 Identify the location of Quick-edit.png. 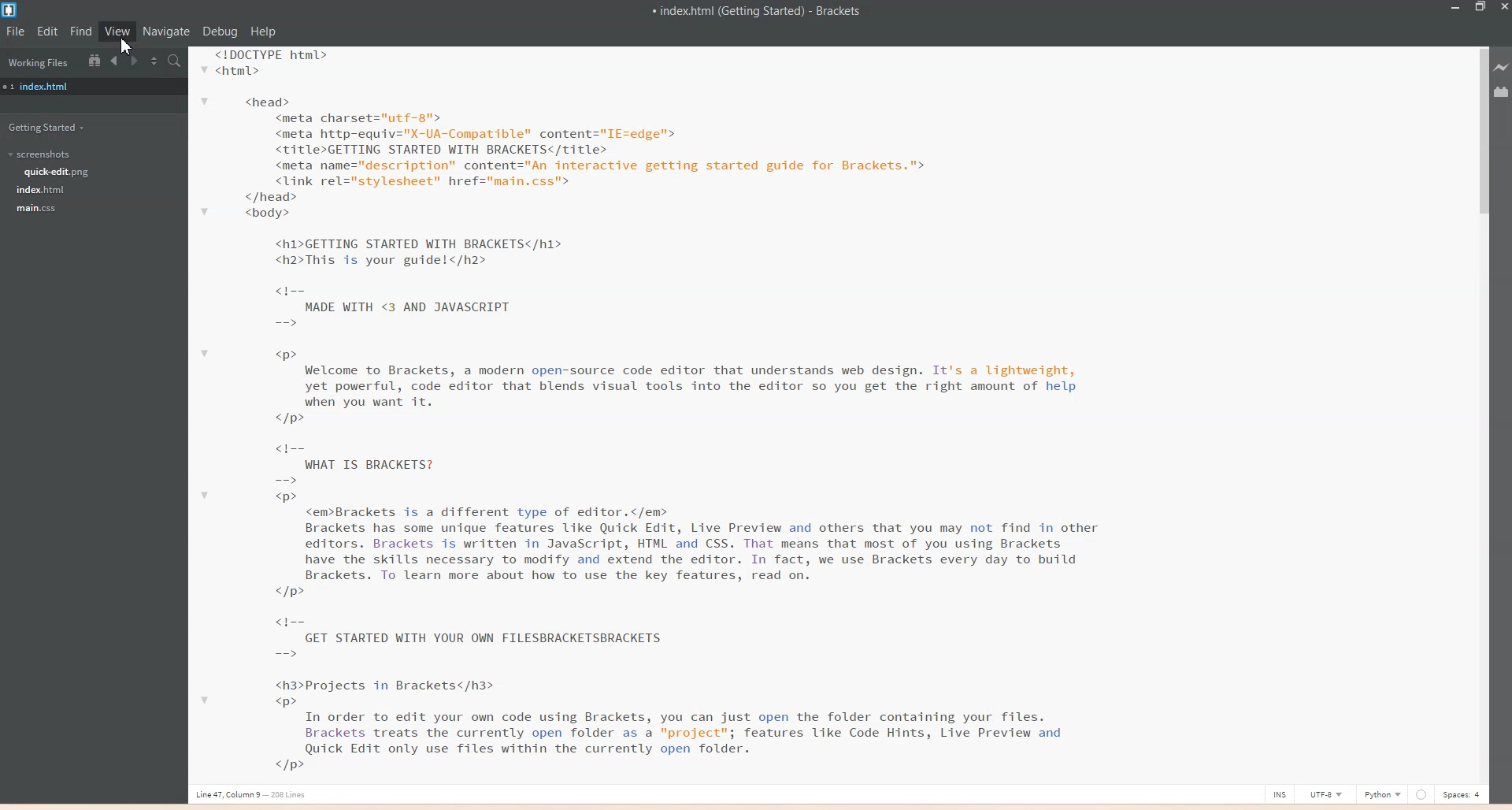
(59, 173).